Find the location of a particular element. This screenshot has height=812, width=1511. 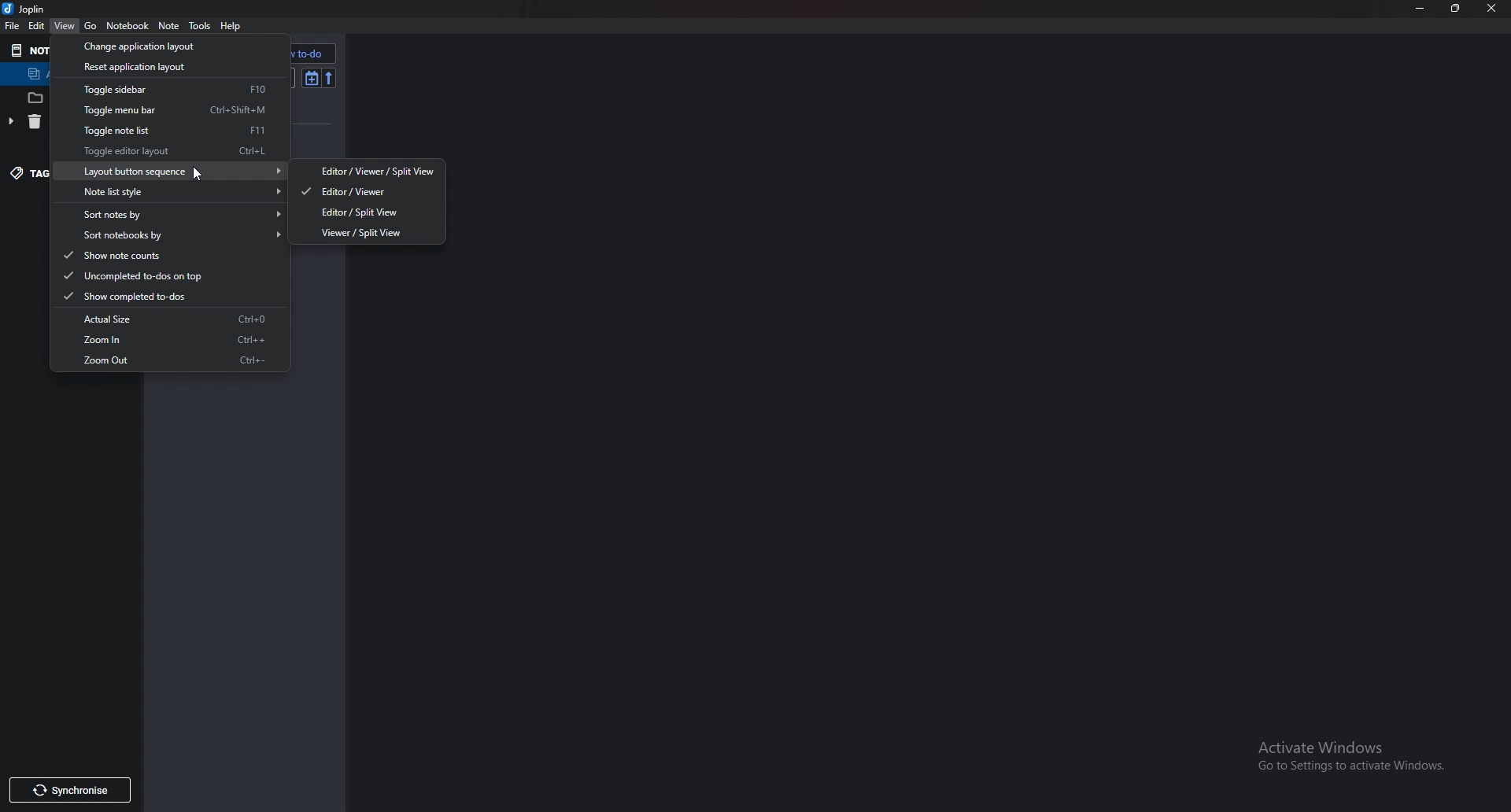

Notebook is located at coordinates (127, 25).